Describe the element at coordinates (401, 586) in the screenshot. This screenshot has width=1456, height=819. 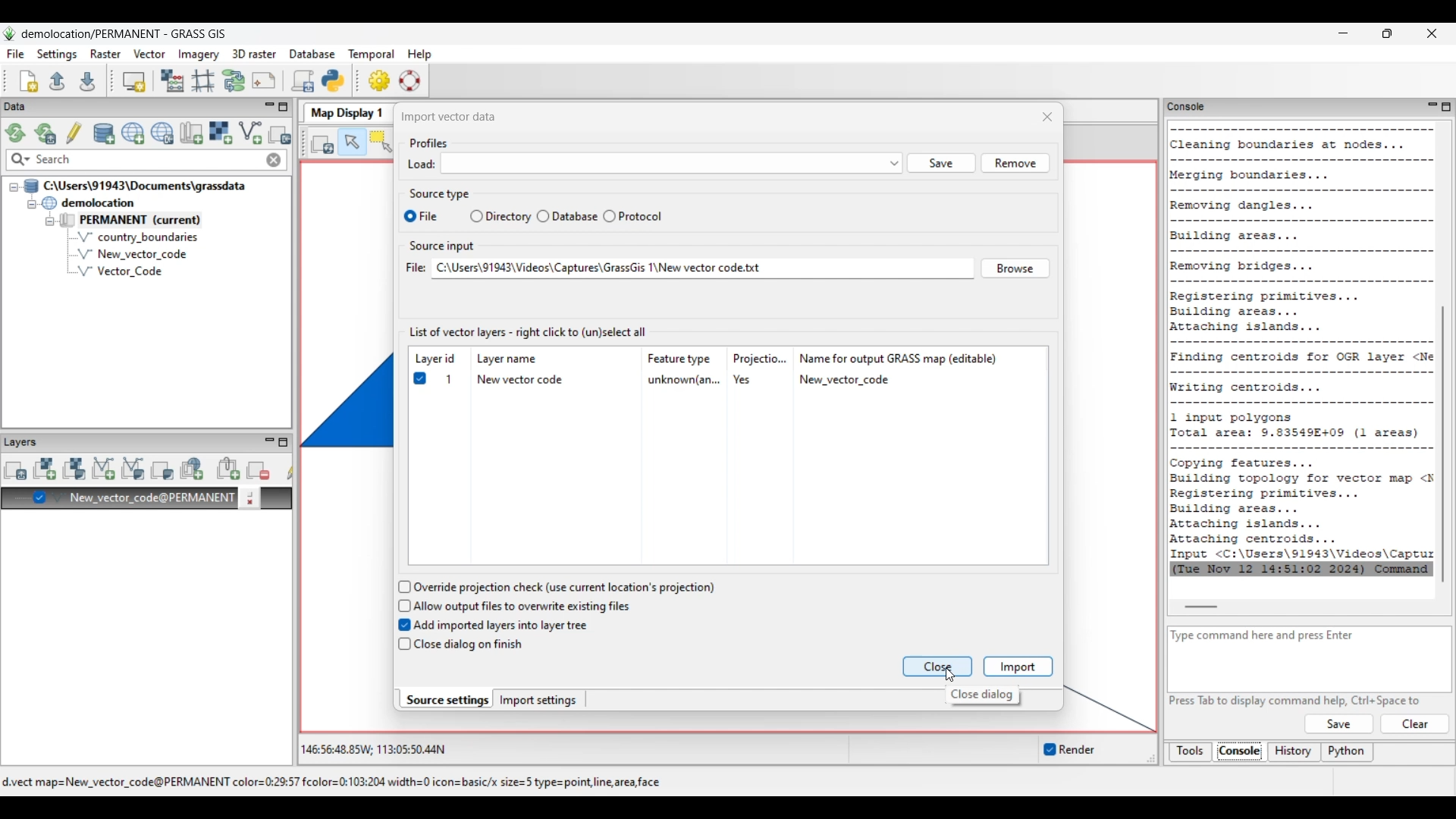
I see `checkbox` at that location.